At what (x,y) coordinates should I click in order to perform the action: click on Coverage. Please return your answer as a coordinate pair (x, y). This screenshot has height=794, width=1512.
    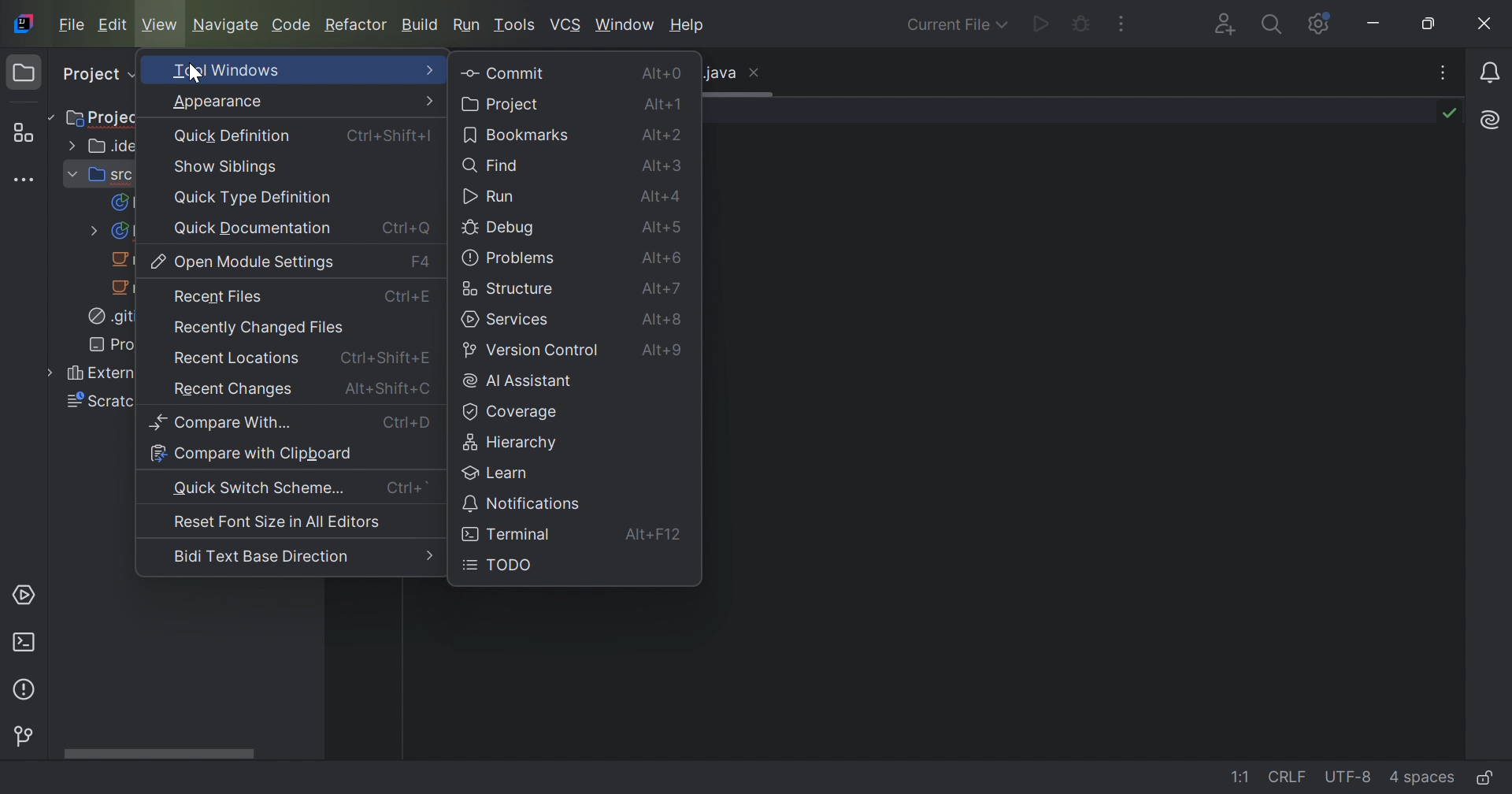
    Looking at the image, I should click on (513, 412).